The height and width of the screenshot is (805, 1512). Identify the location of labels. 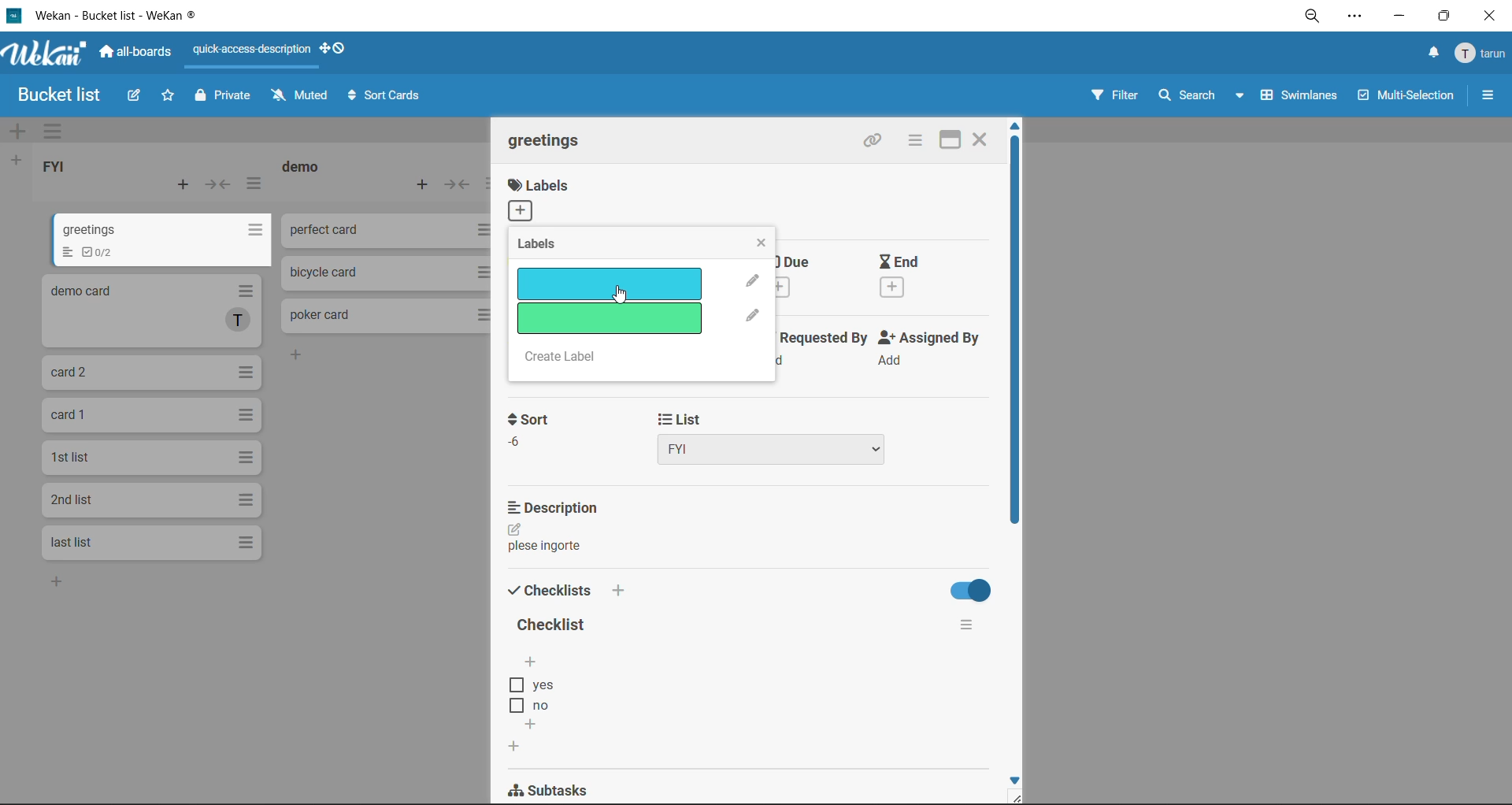
(553, 247).